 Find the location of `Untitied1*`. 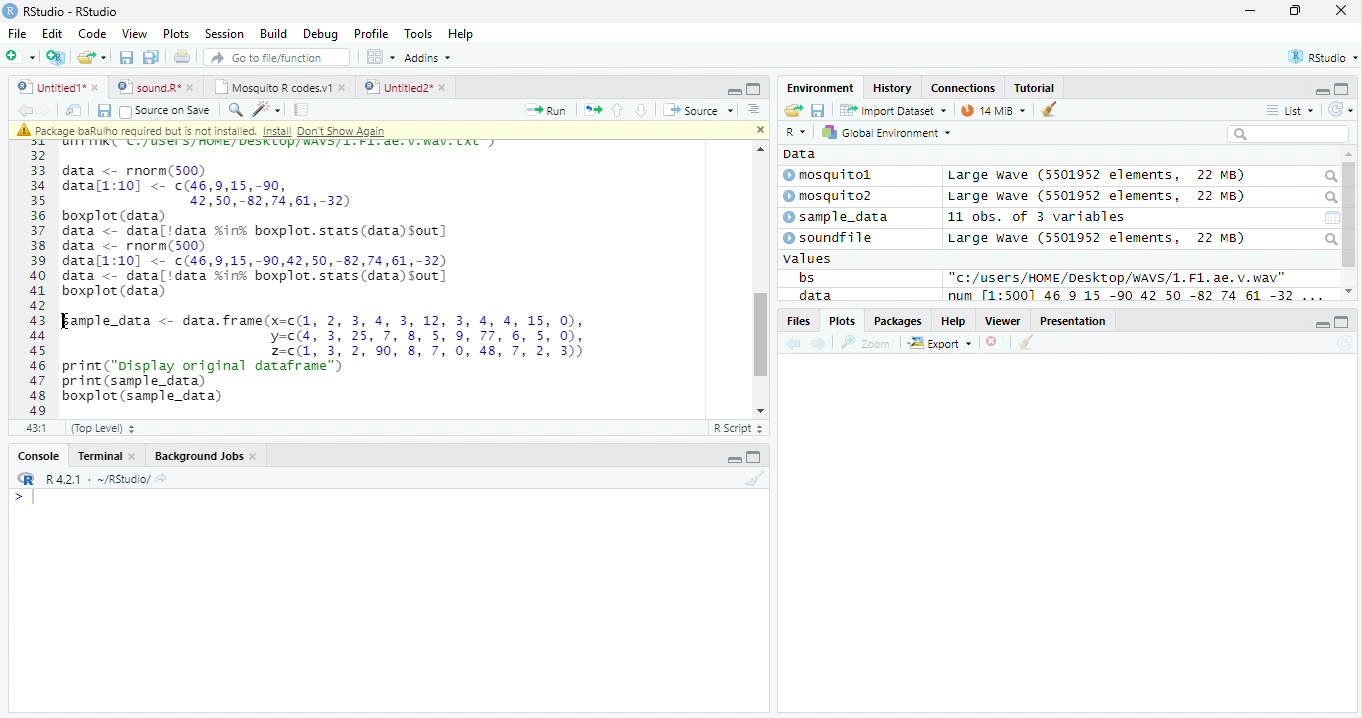

Untitied1* is located at coordinates (58, 87).